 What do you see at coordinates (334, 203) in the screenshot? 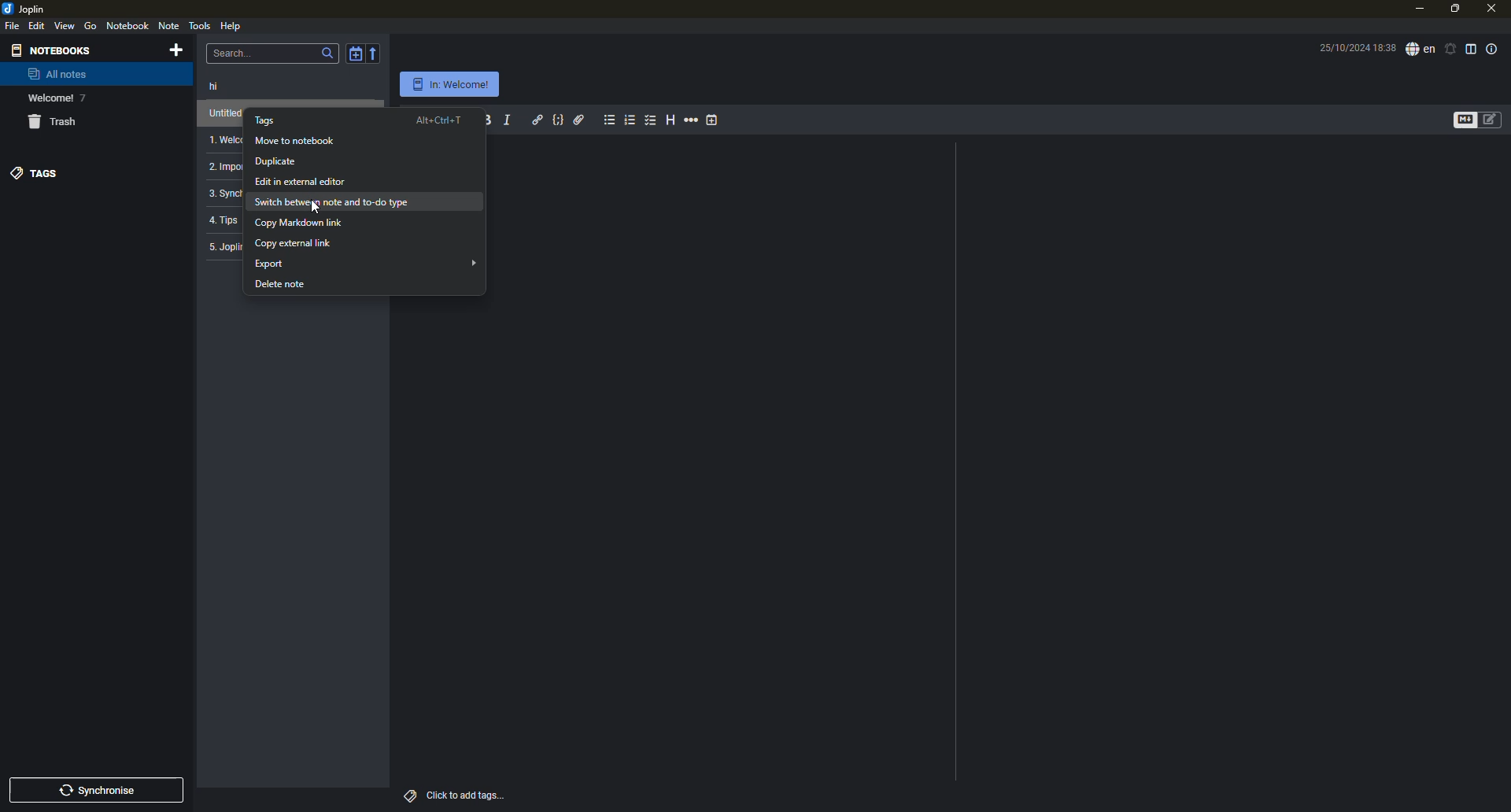
I see `switch between note and to-do type` at bounding box center [334, 203].